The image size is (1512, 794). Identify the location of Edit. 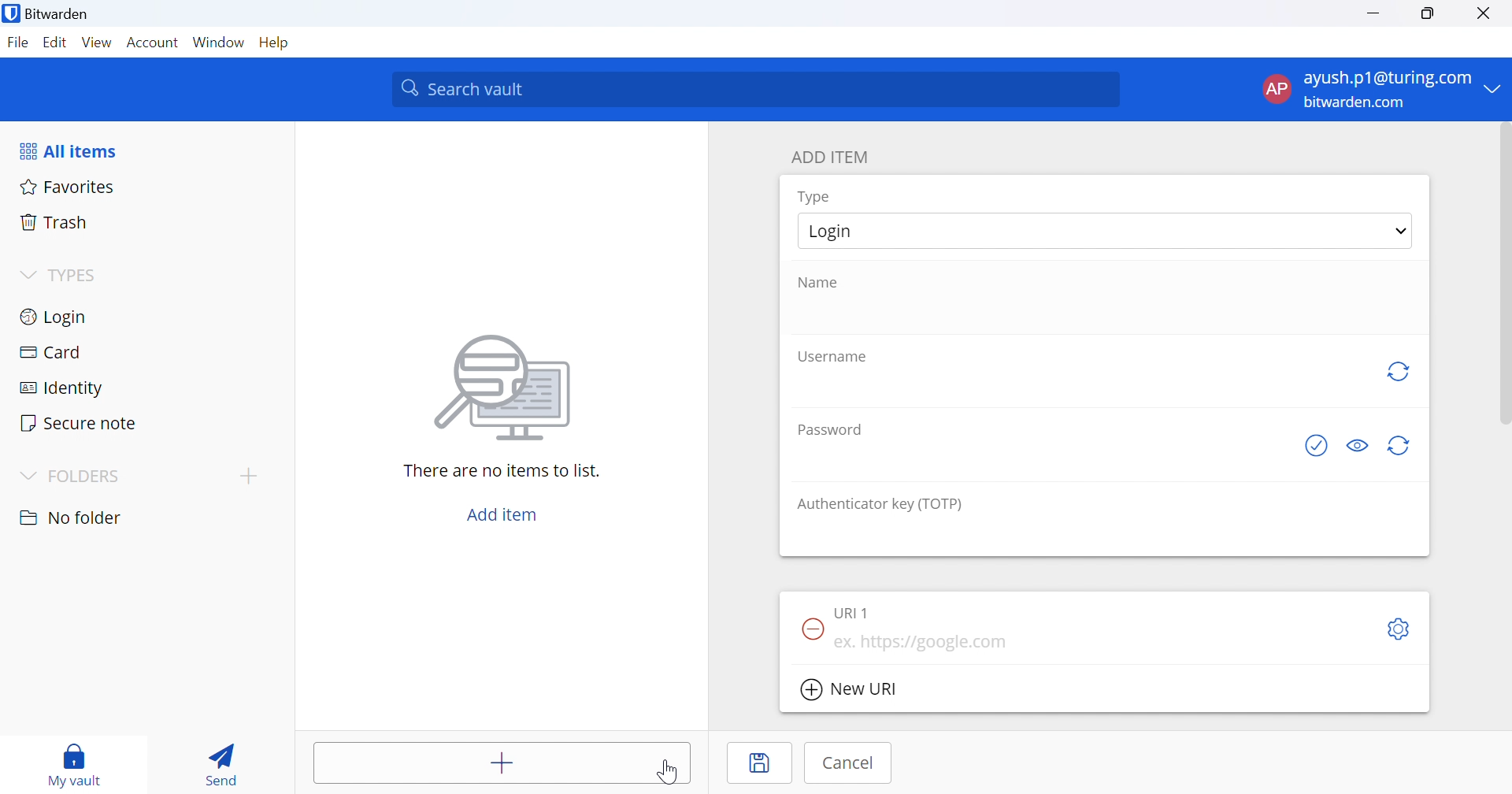
(53, 43).